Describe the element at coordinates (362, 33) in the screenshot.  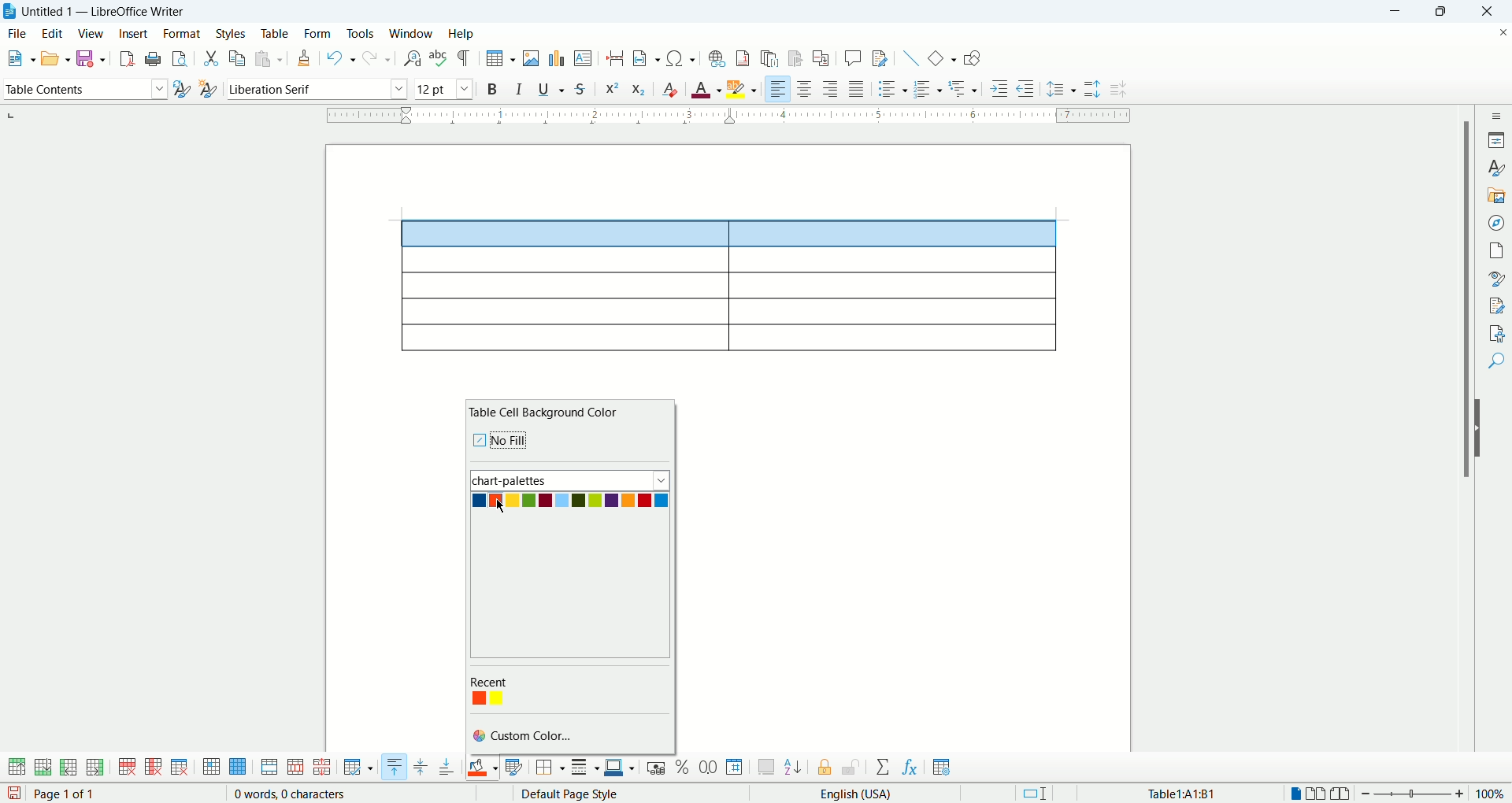
I see `tools` at that location.